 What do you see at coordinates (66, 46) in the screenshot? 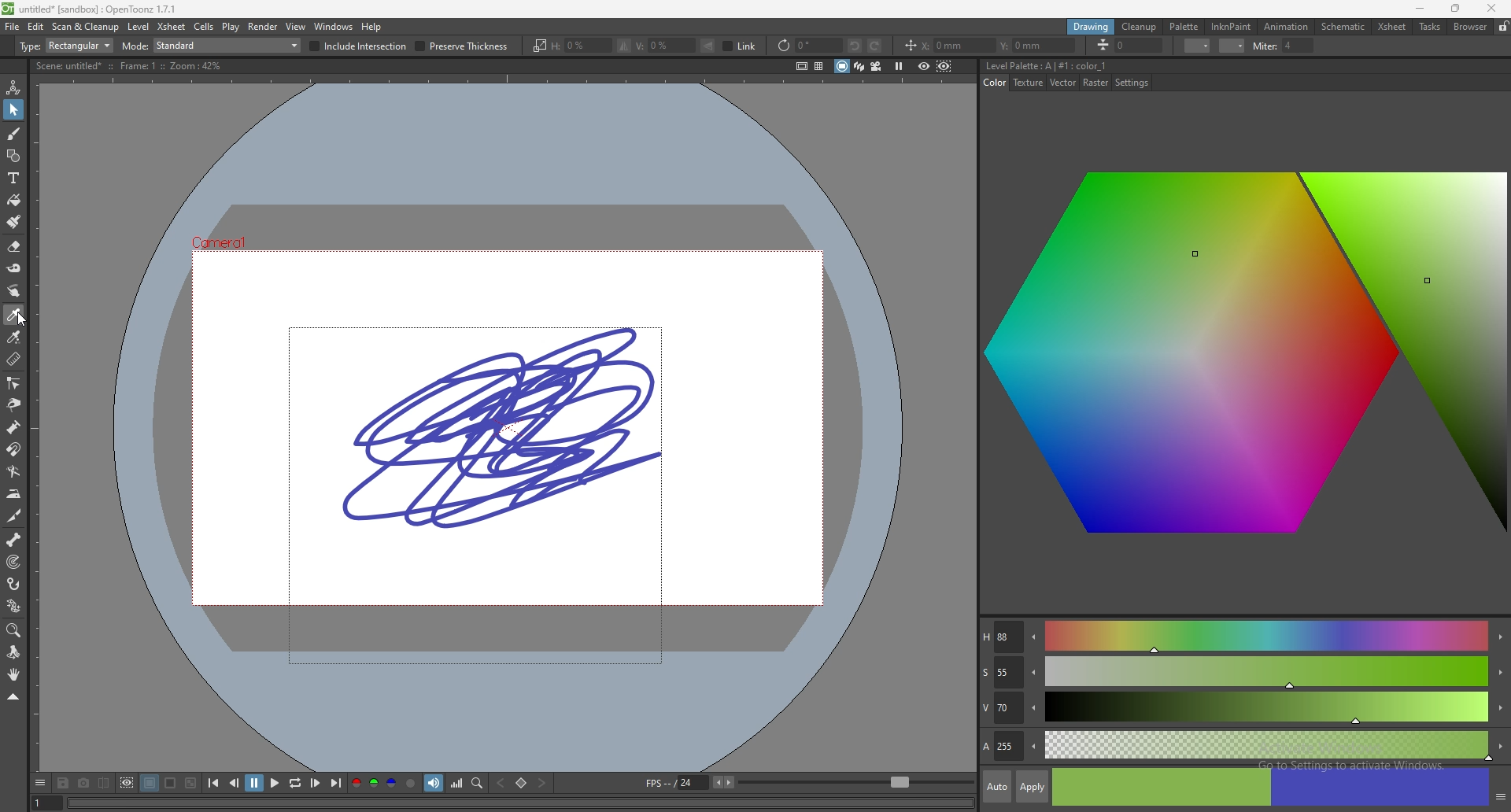
I see `type` at bounding box center [66, 46].